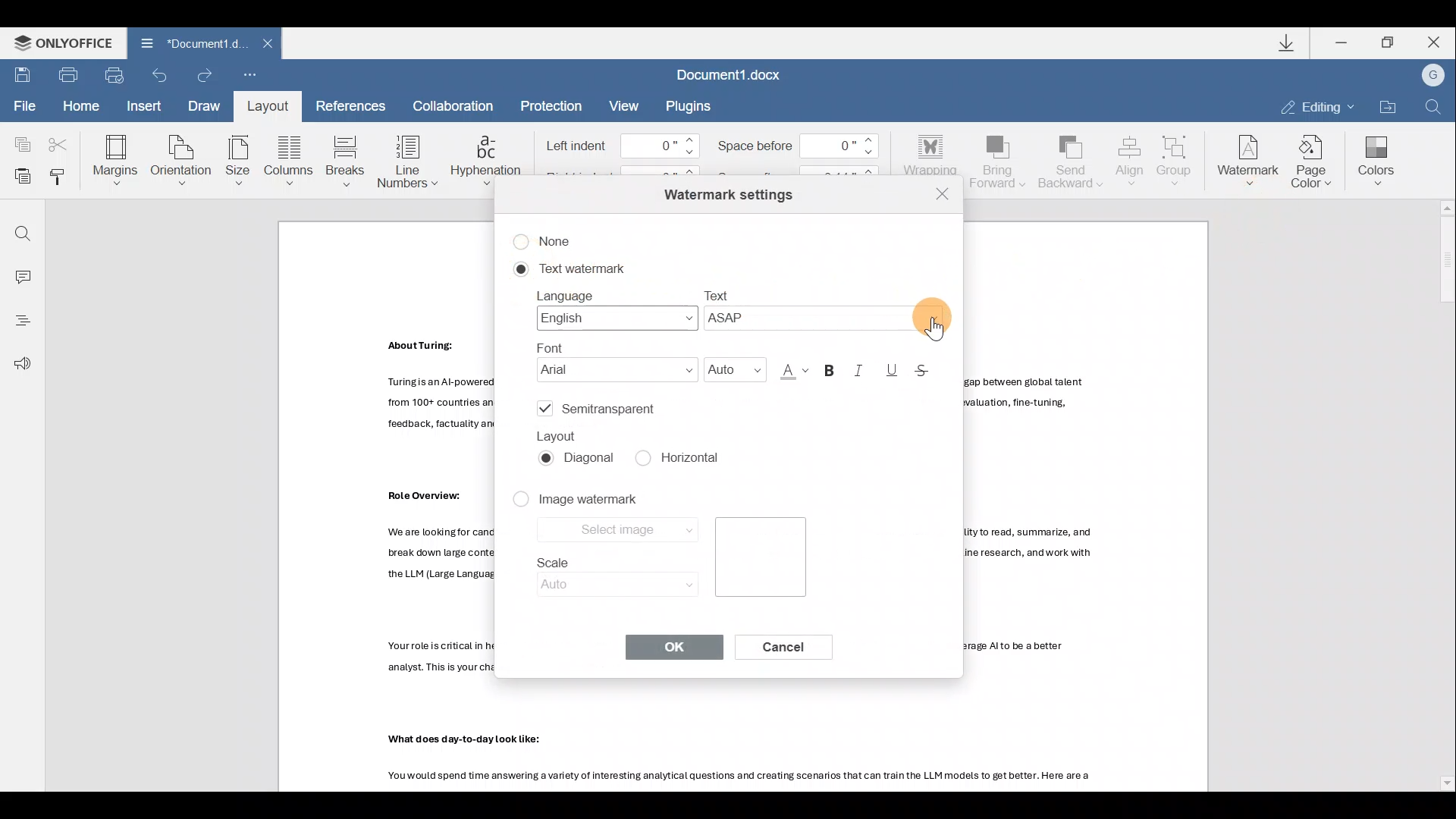 The height and width of the screenshot is (819, 1456). What do you see at coordinates (1316, 158) in the screenshot?
I see `Page color` at bounding box center [1316, 158].